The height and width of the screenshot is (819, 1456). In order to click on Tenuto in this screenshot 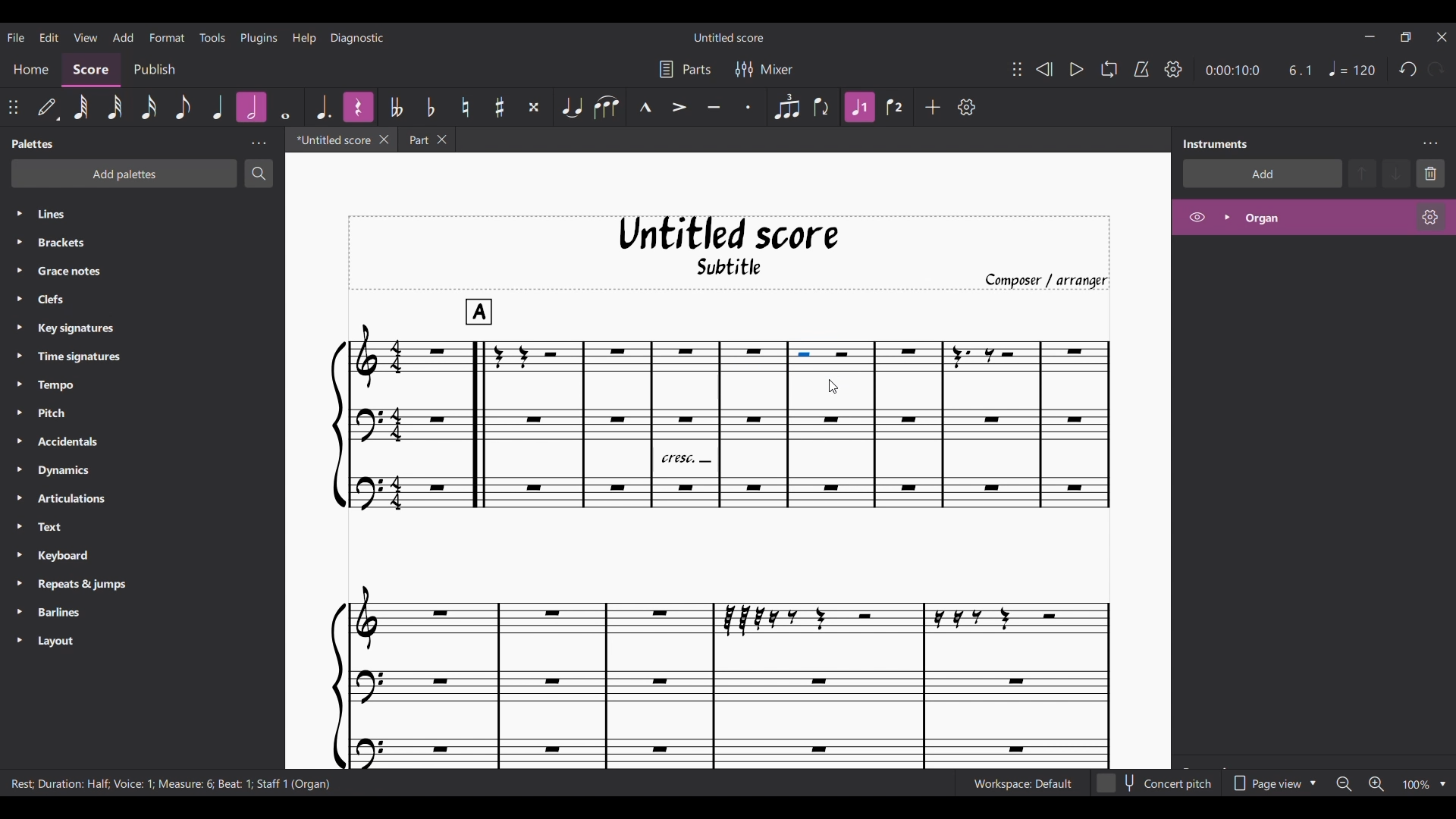, I will do `click(714, 108)`.